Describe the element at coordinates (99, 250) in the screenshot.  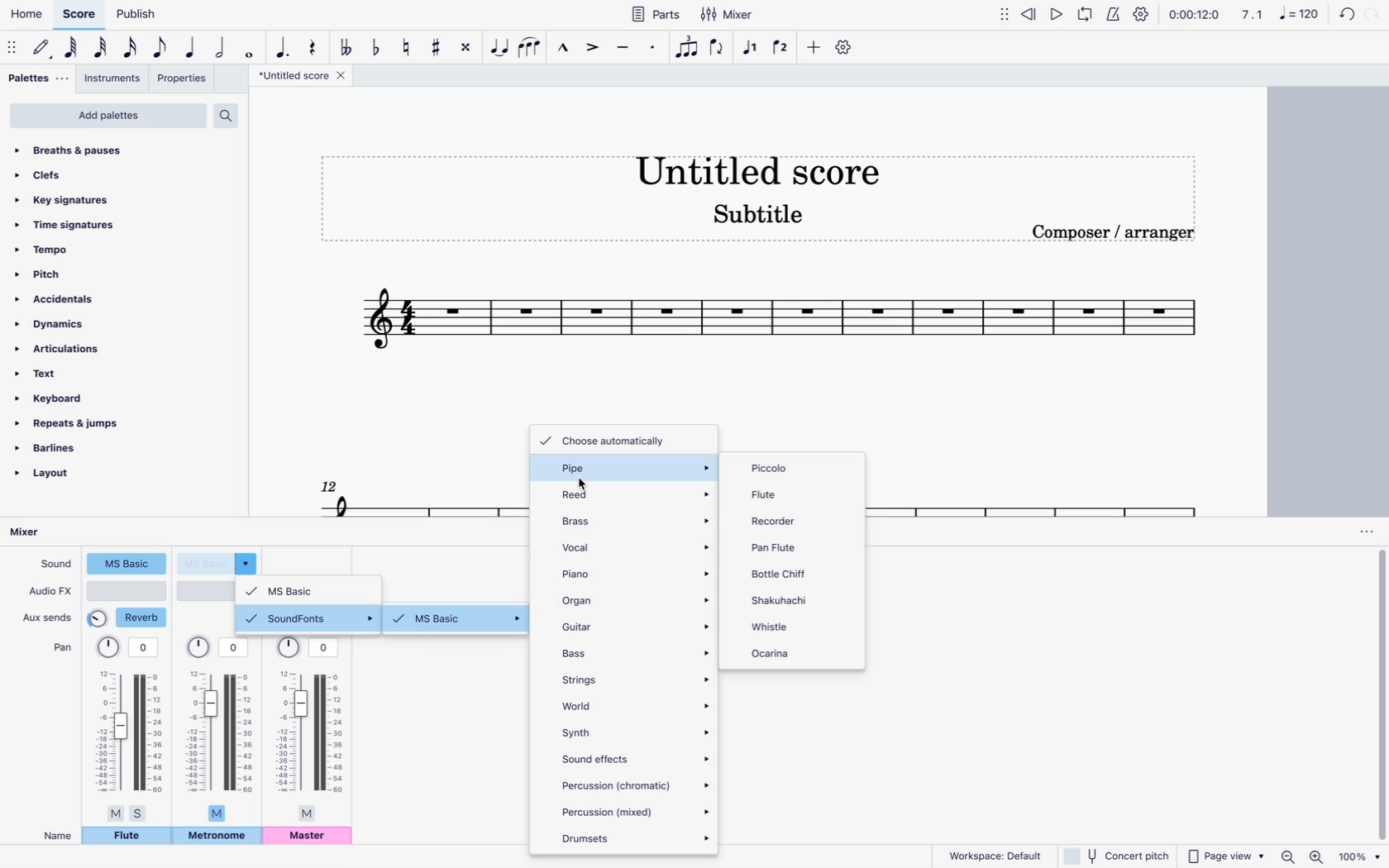
I see `tempo` at that location.